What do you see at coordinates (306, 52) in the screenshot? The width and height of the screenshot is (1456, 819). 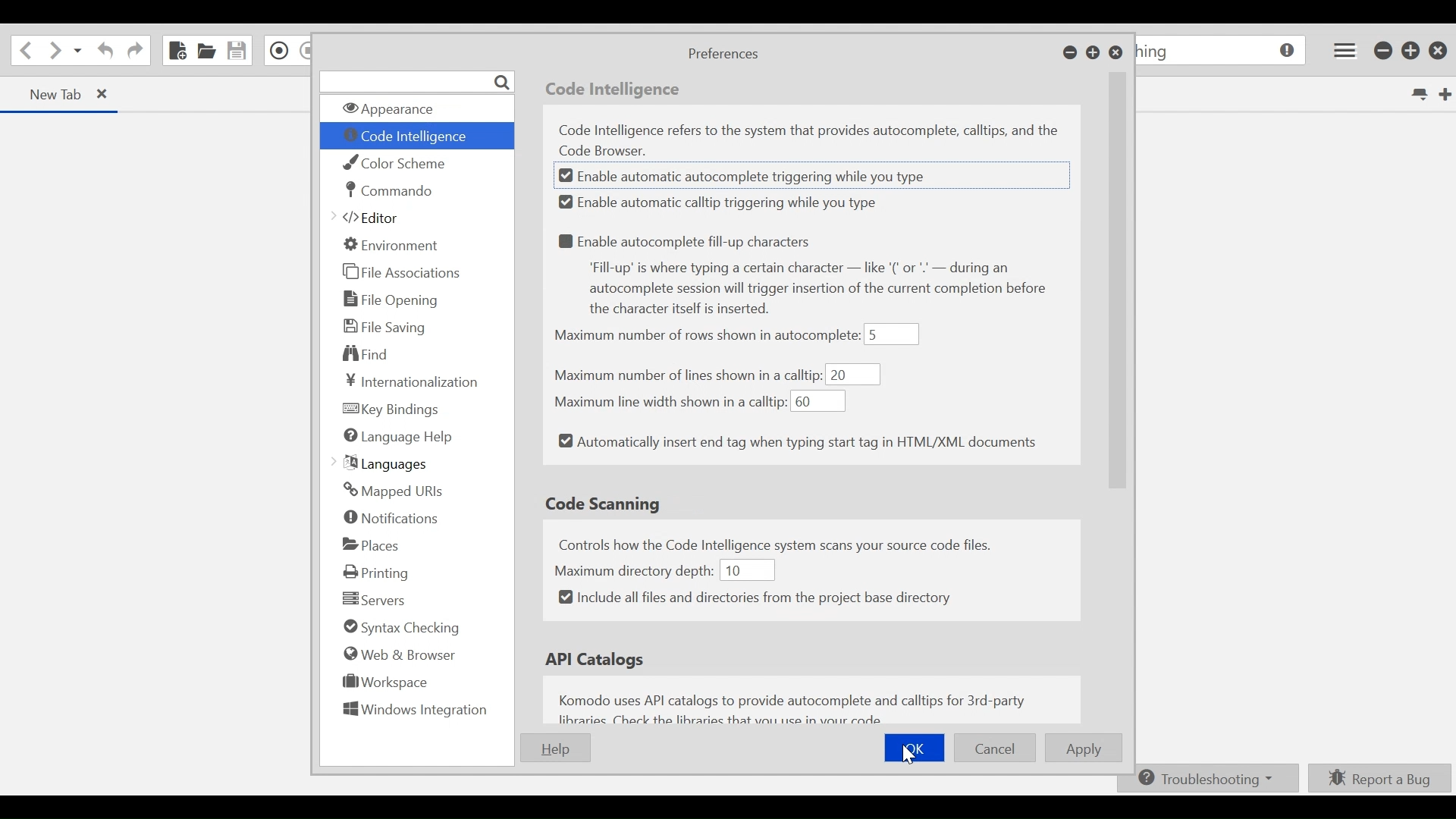 I see `Stop Recording ` at bounding box center [306, 52].